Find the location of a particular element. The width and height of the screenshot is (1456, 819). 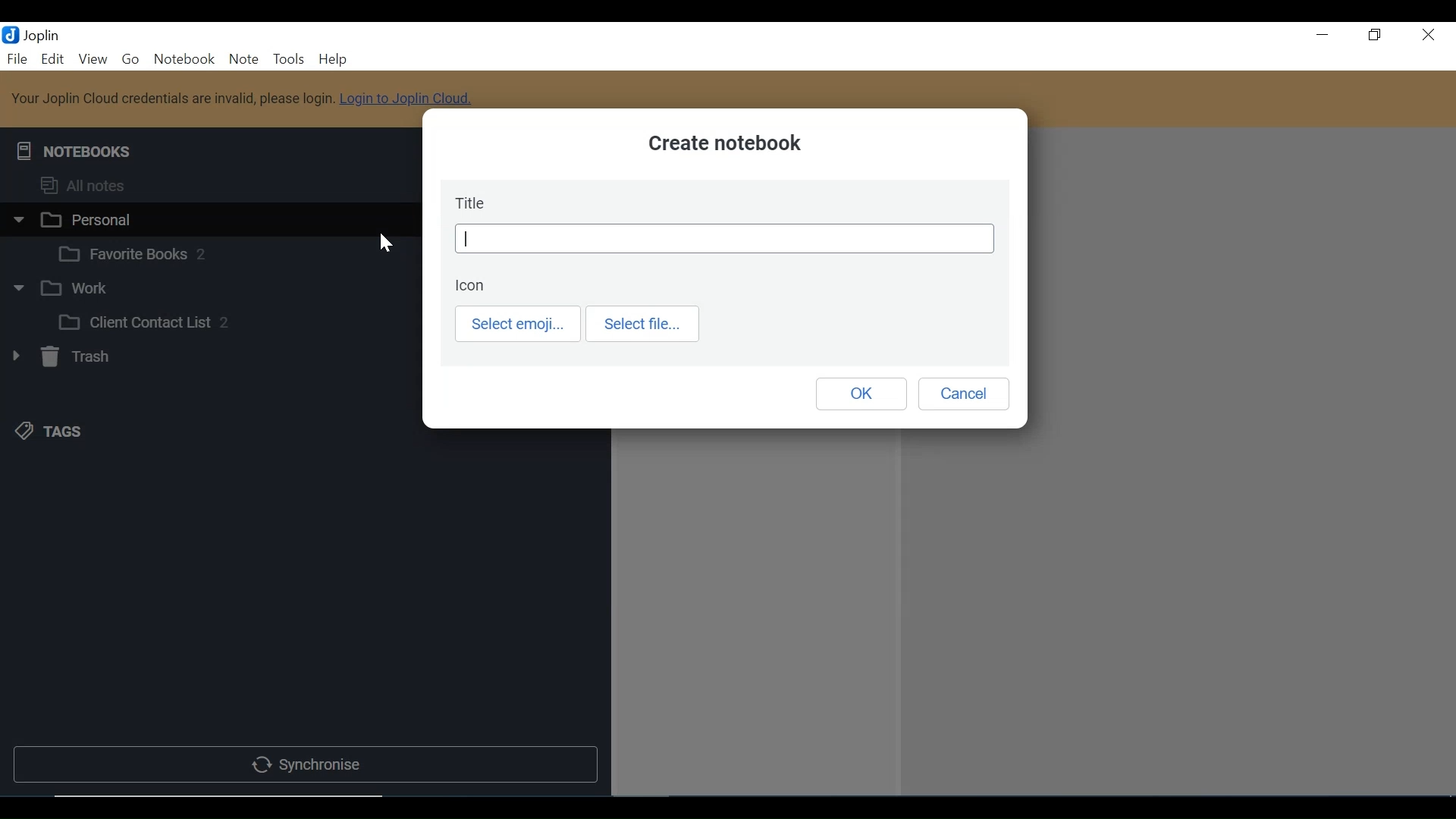

Trash is located at coordinates (59, 356).